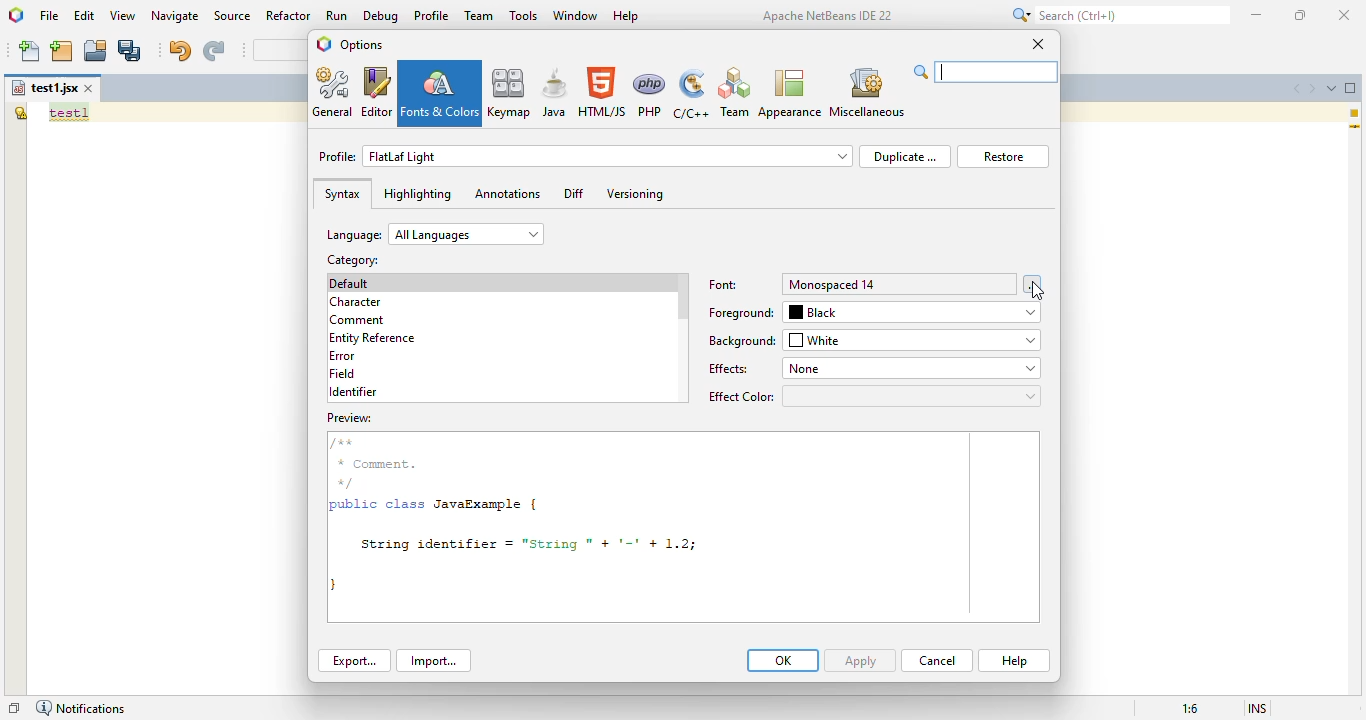  What do you see at coordinates (724, 285) in the screenshot?
I see `font` at bounding box center [724, 285].